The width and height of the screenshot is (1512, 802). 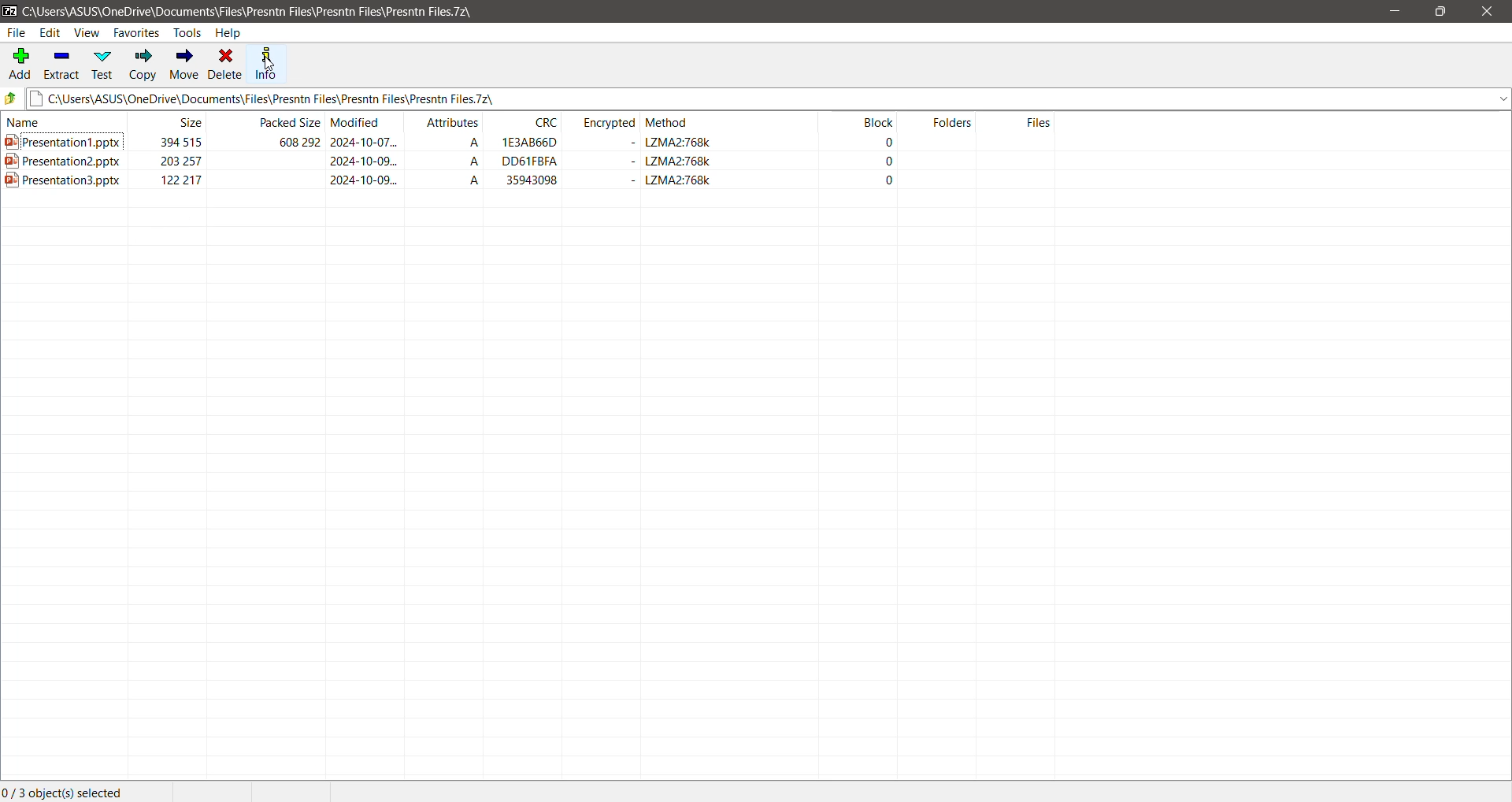 What do you see at coordinates (361, 124) in the screenshot?
I see `Modified` at bounding box center [361, 124].